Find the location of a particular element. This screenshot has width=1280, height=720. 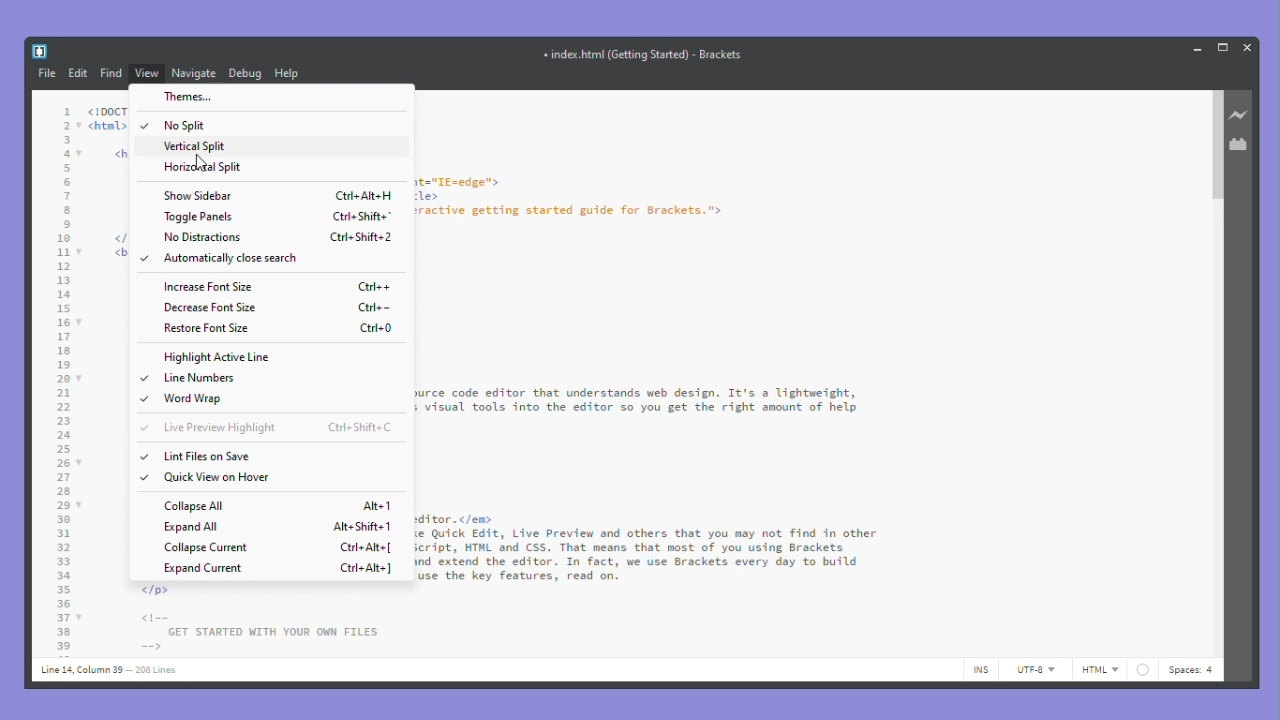

28 is located at coordinates (63, 492).